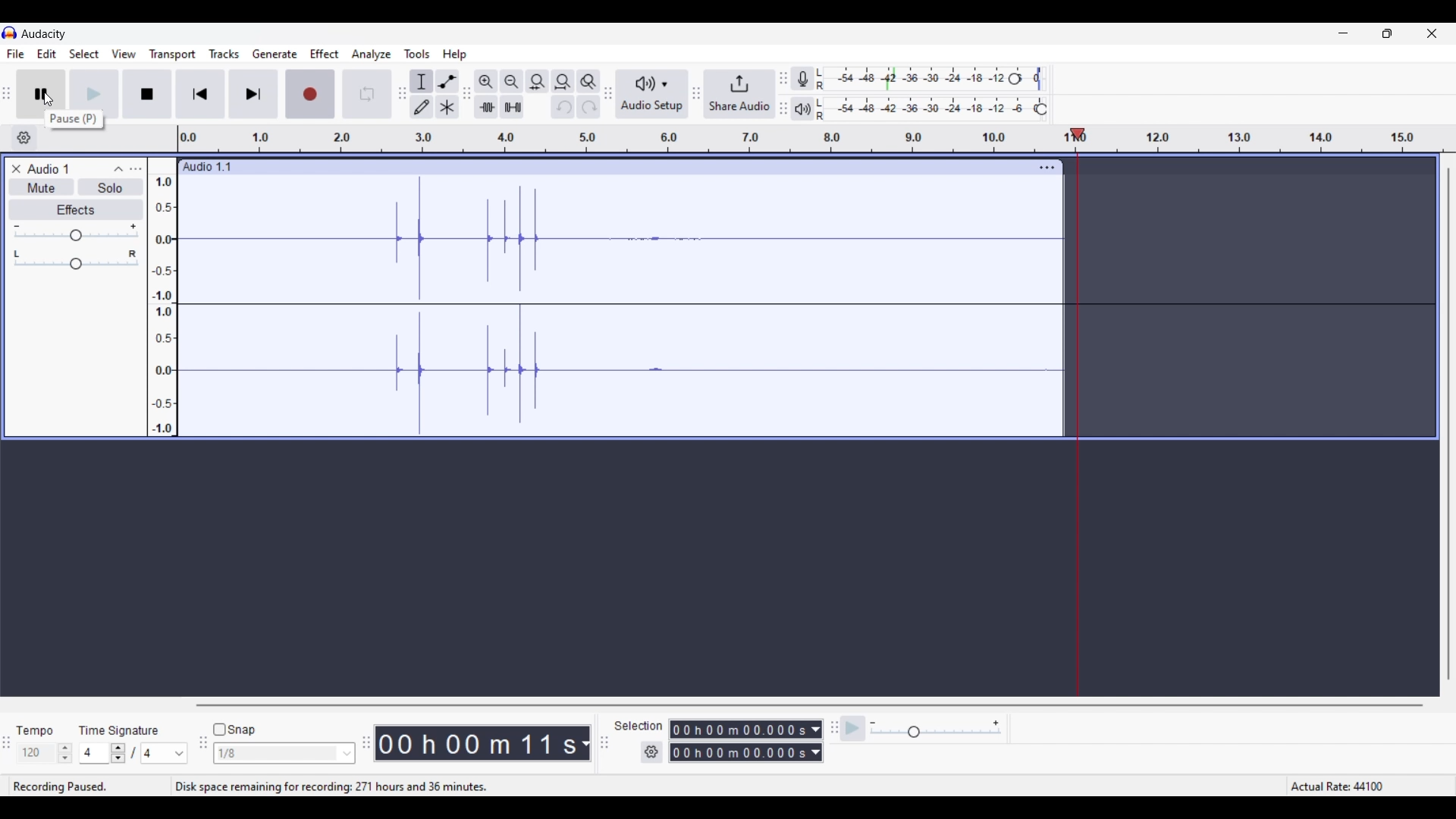 This screenshot has width=1456, height=819. I want to click on Record/Record new track, so click(309, 91).